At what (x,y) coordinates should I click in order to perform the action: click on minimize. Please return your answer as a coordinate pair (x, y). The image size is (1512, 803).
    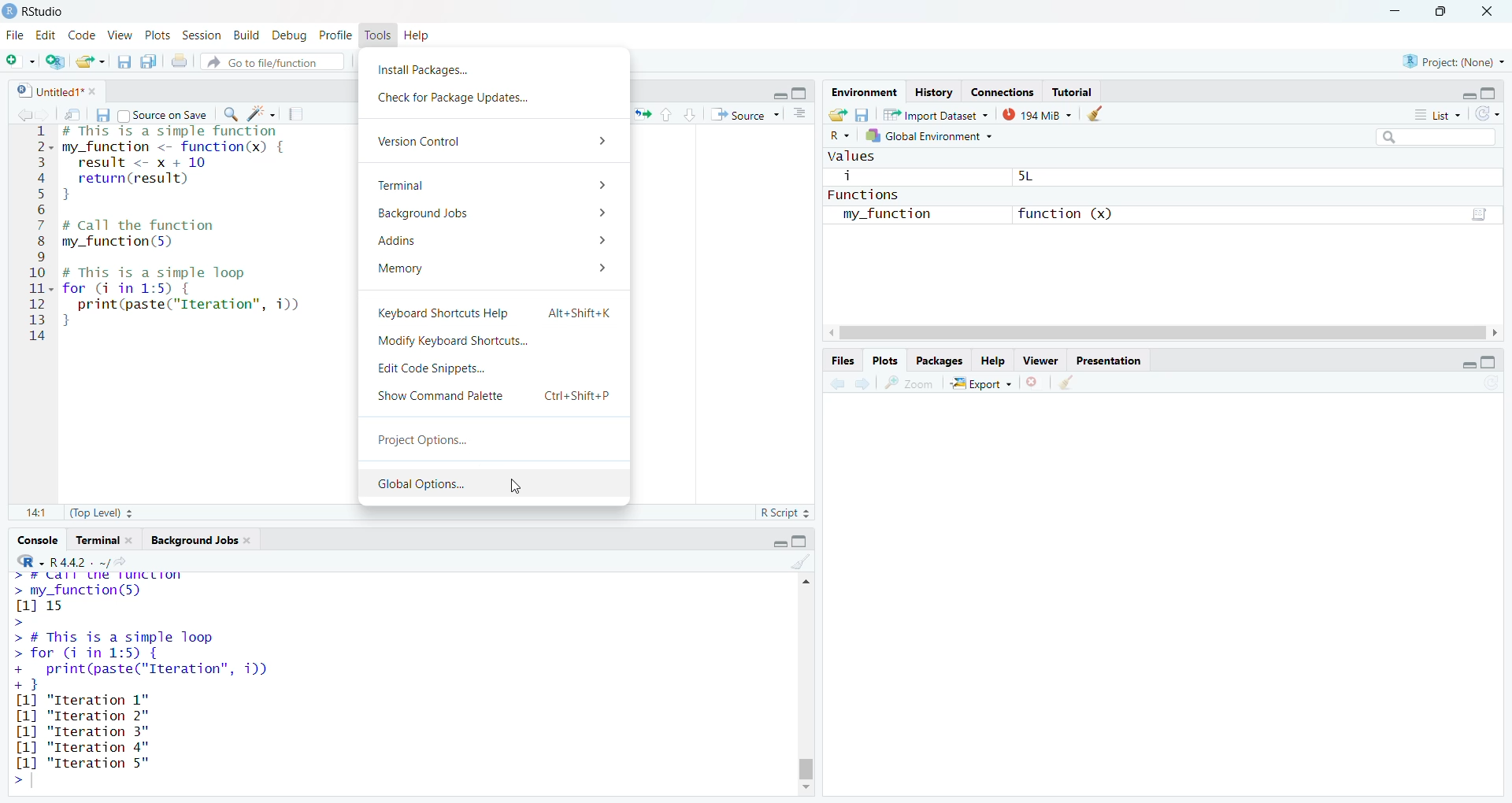
    Looking at the image, I should click on (776, 541).